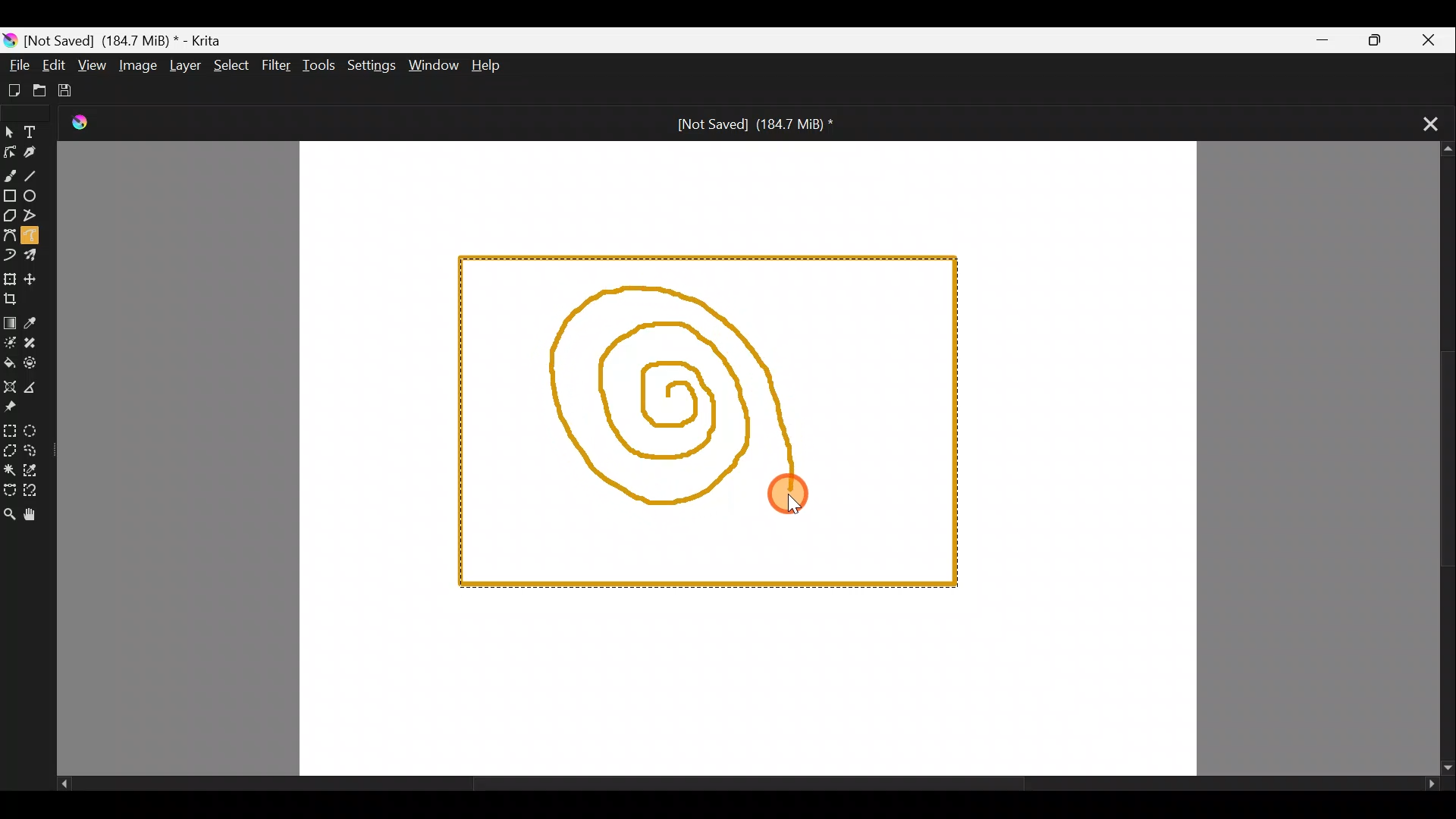 This screenshot has width=1456, height=819. Describe the element at coordinates (9, 215) in the screenshot. I see `Polygon tool` at that location.